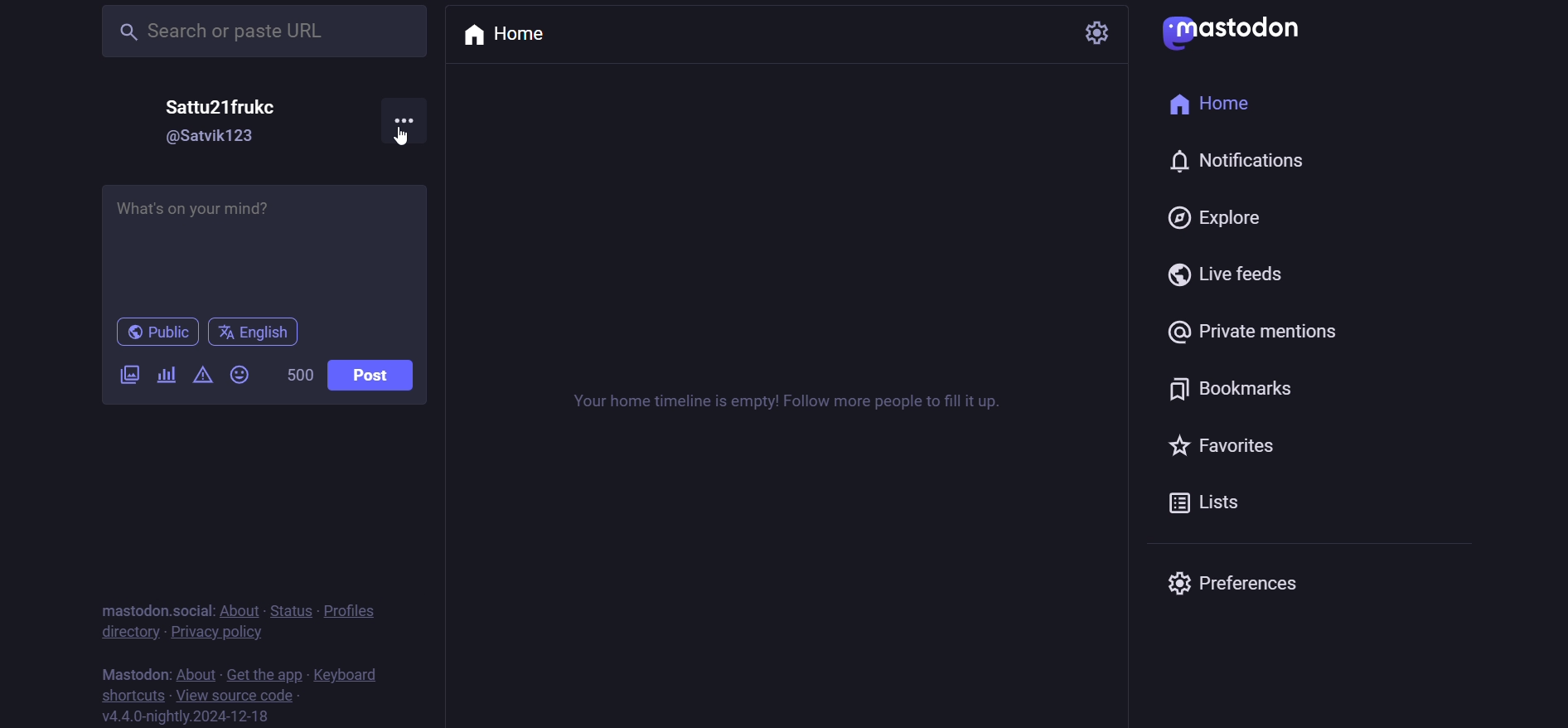 Image resolution: width=1568 pixels, height=728 pixels. I want to click on more, so click(404, 119).